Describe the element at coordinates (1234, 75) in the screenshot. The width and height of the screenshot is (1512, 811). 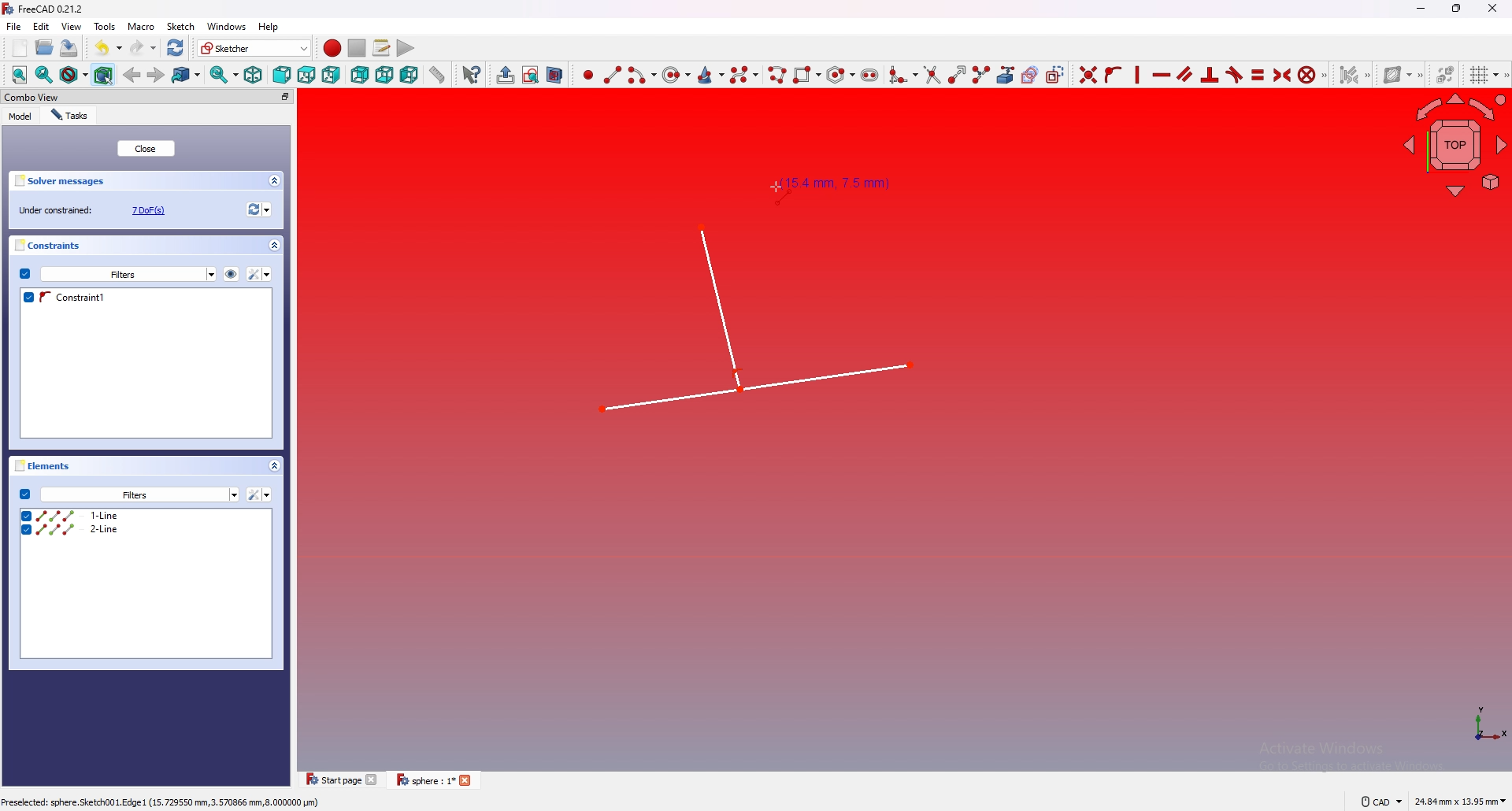
I see `Constrain tangent` at that location.